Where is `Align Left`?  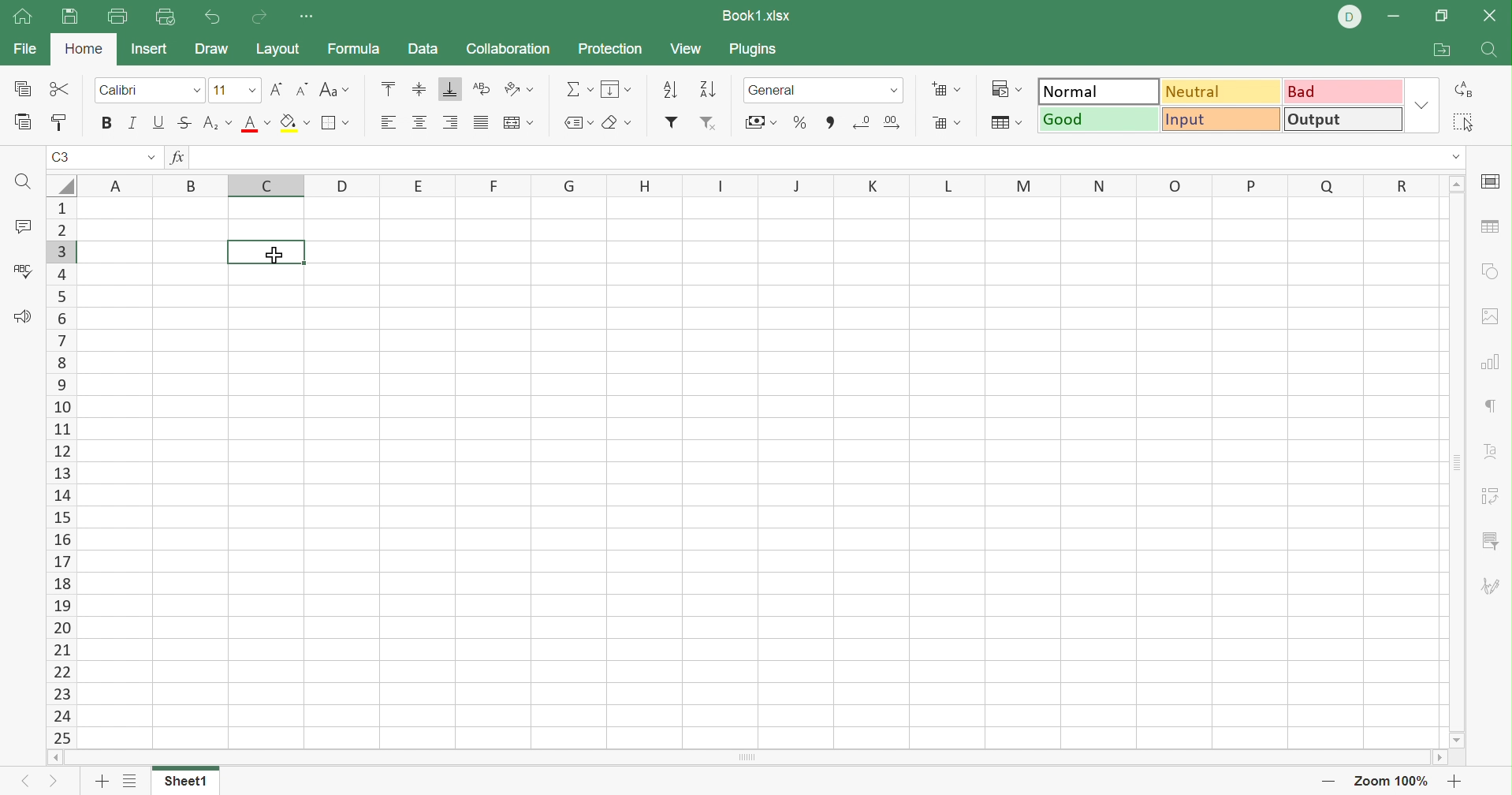 Align Left is located at coordinates (386, 123).